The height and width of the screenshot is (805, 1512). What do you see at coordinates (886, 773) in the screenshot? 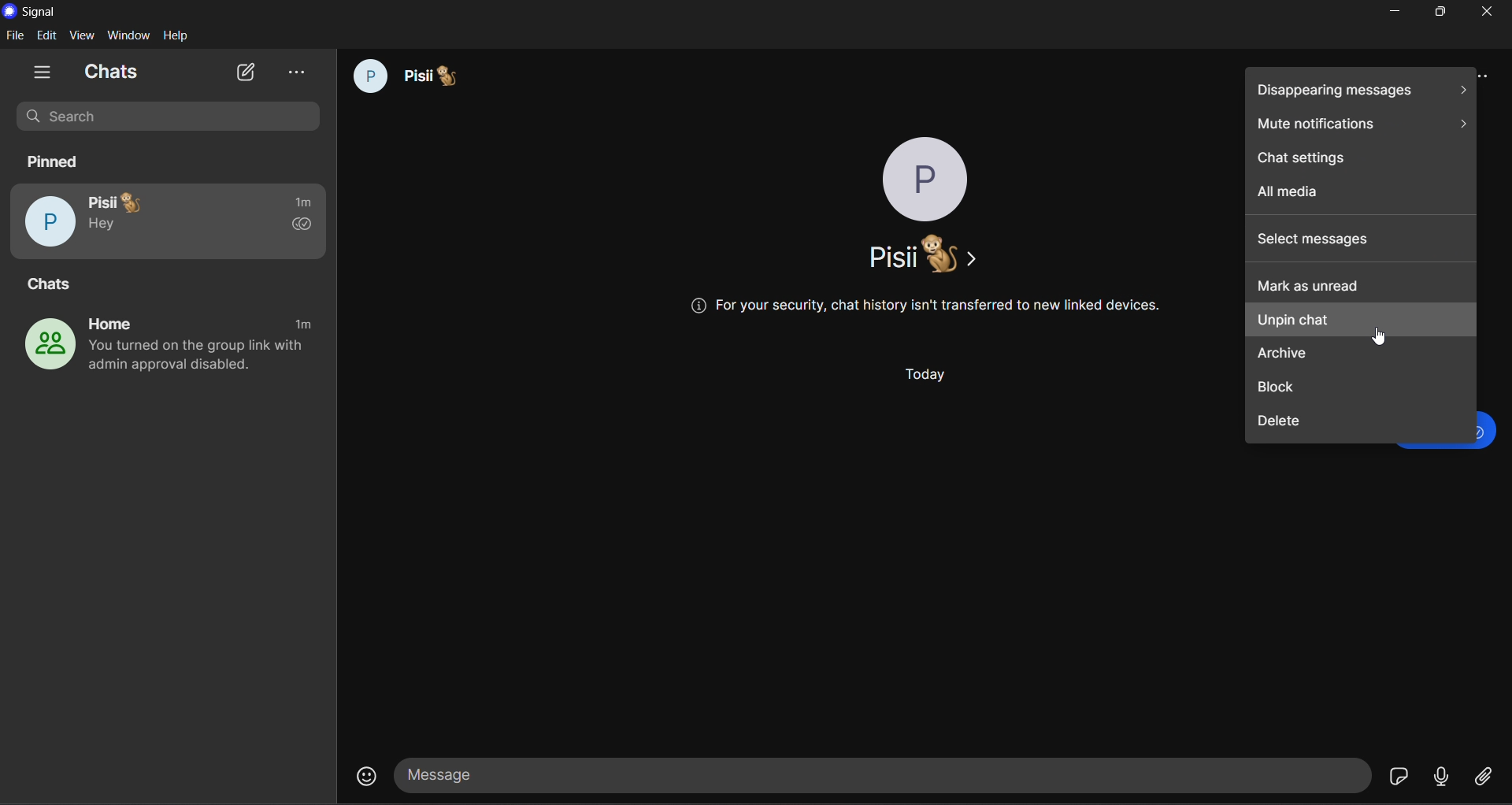
I see `message` at bounding box center [886, 773].